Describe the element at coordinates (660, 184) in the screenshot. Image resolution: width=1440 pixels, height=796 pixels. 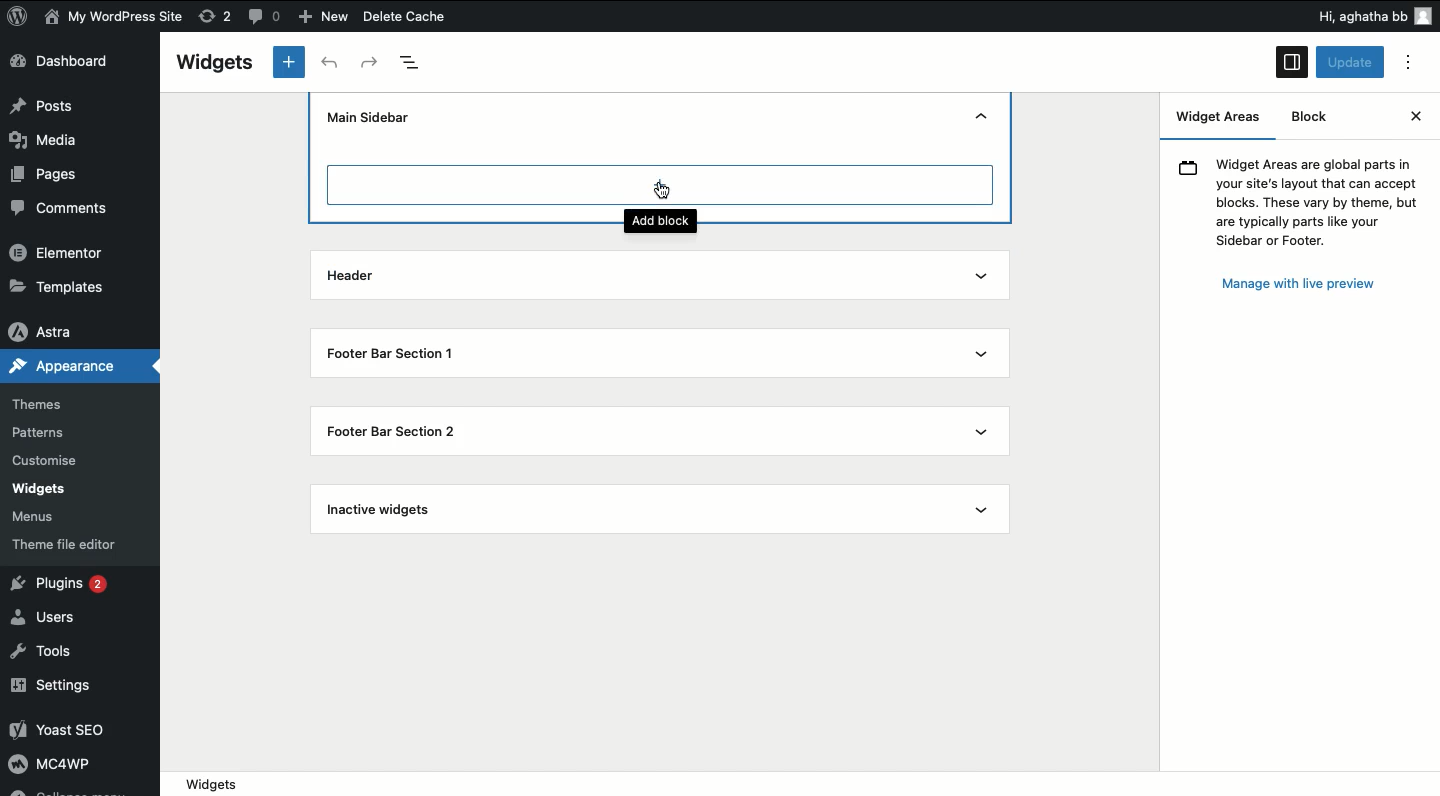
I see `Add block` at that location.